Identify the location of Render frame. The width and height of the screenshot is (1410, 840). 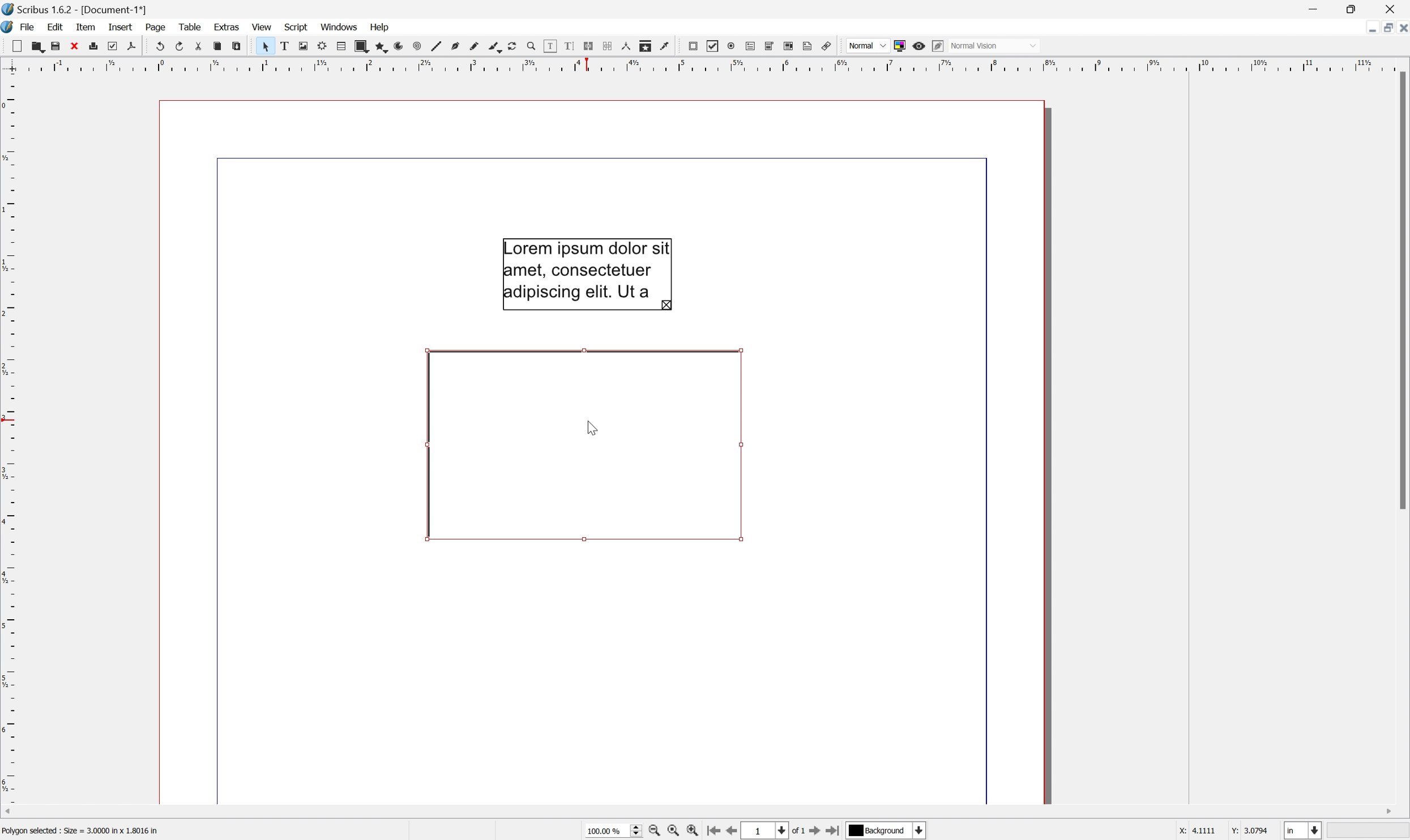
(320, 48).